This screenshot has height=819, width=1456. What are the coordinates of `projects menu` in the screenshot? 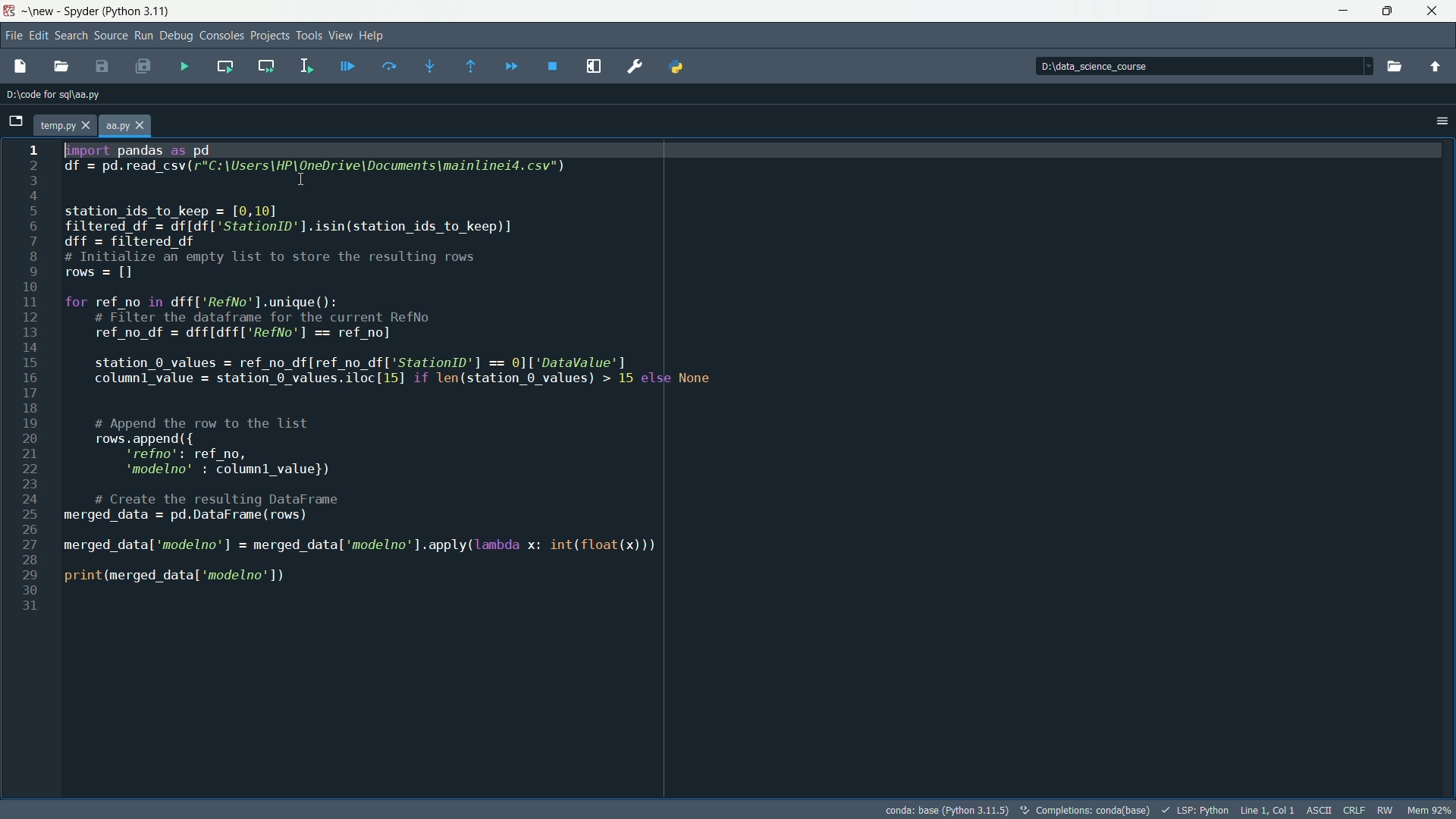 It's located at (271, 36).